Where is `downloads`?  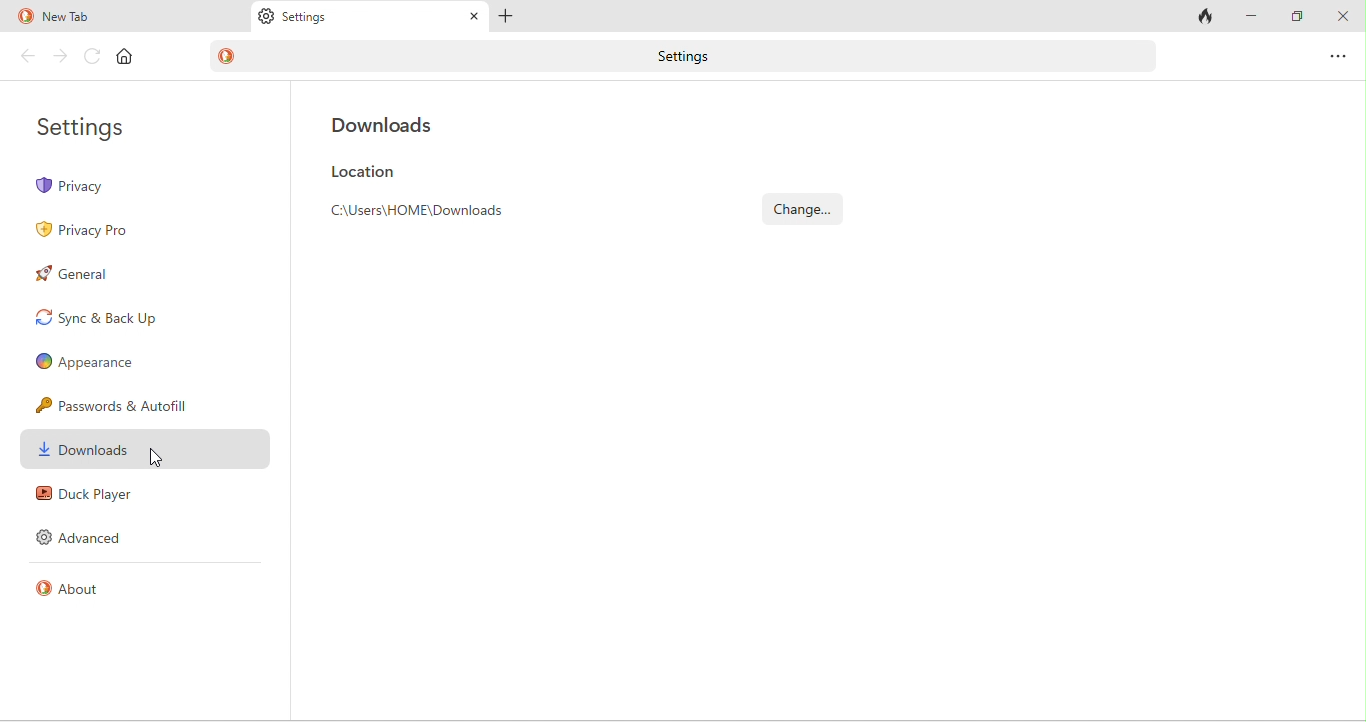
downloads is located at coordinates (117, 456).